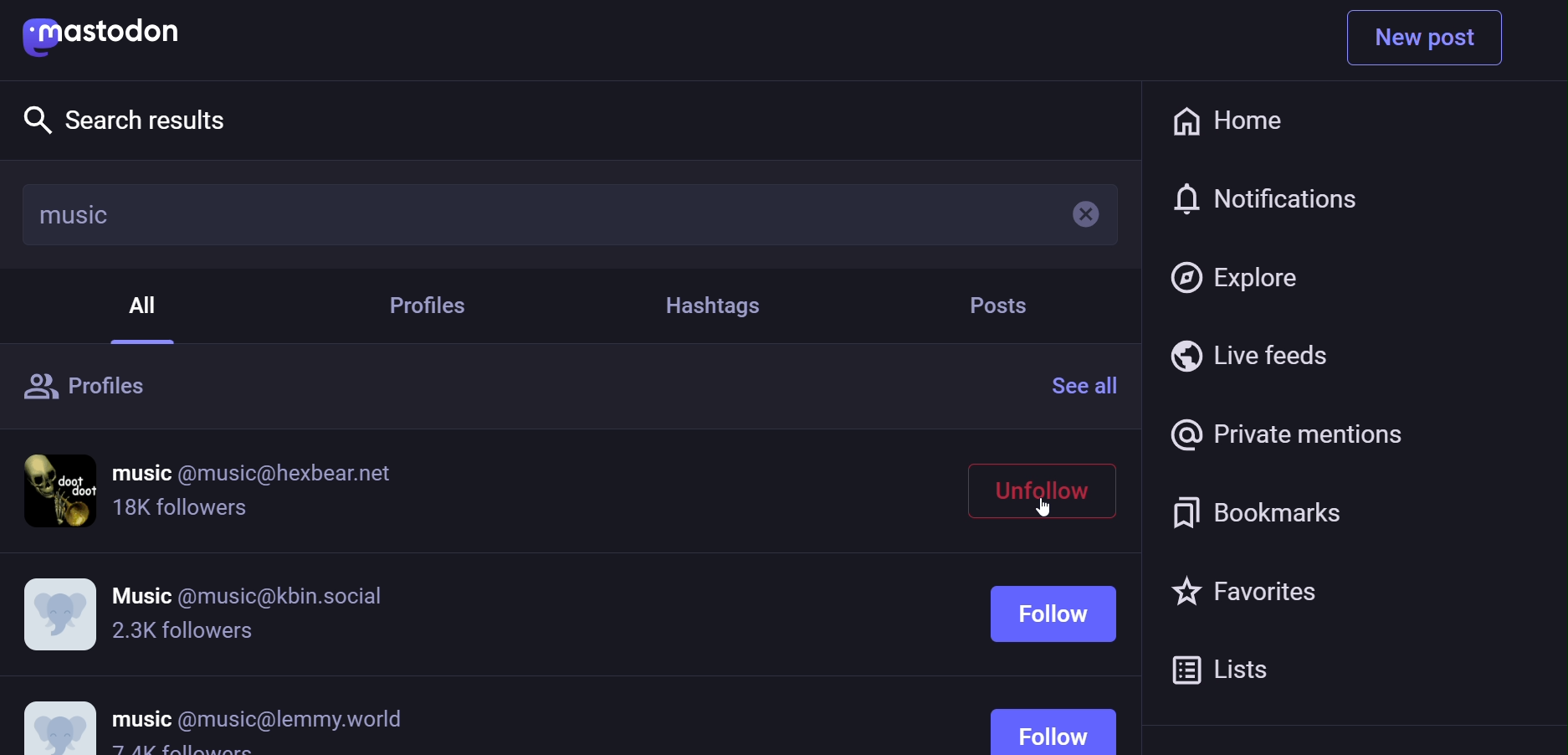 Image resolution: width=1568 pixels, height=755 pixels. Describe the element at coordinates (1237, 593) in the screenshot. I see `favorite` at that location.